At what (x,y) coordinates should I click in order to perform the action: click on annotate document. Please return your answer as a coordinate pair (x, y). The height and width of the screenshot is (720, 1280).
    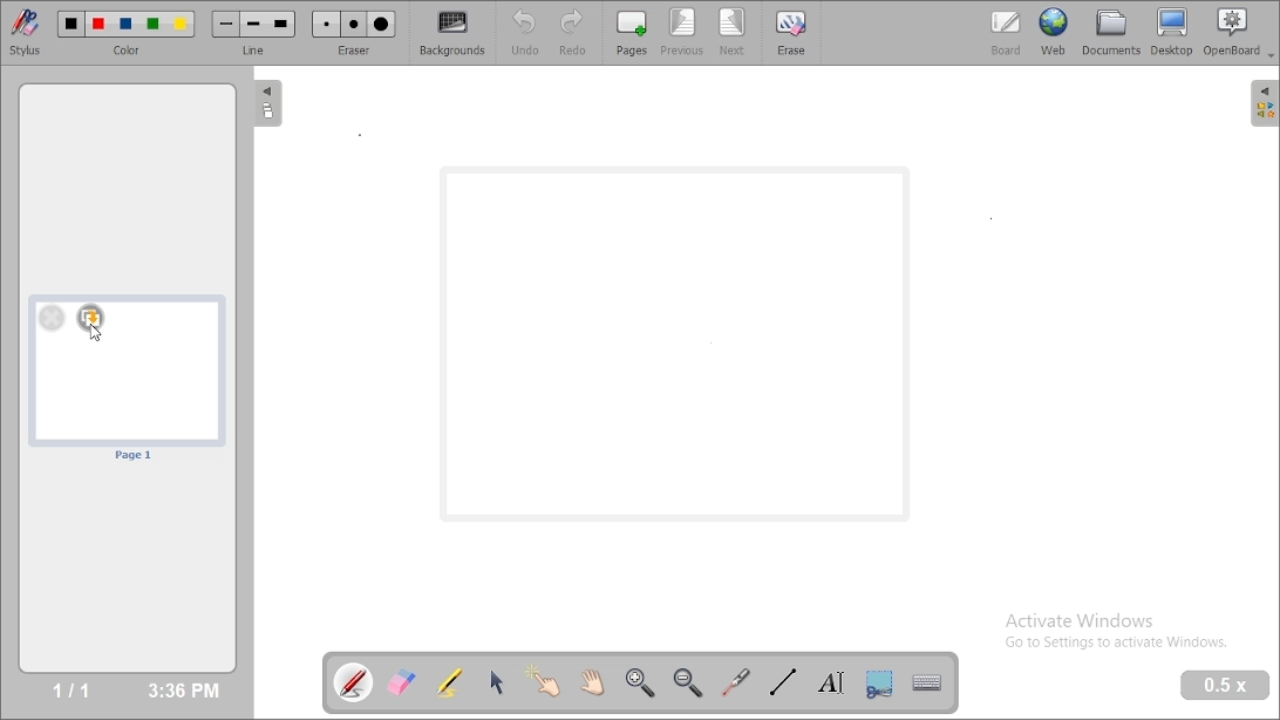
    Looking at the image, I should click on (355, 681).